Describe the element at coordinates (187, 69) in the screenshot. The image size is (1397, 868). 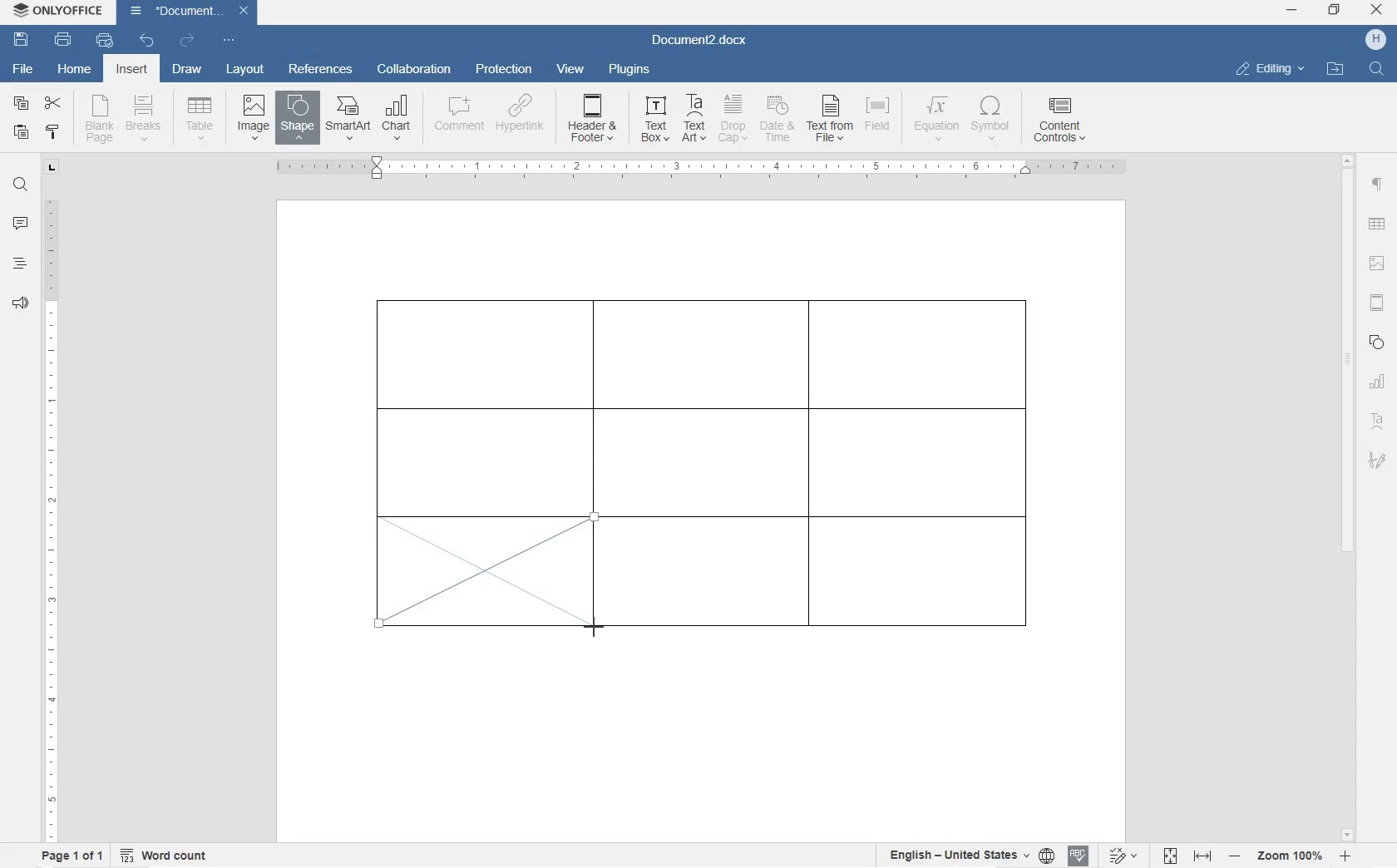
I see `draw` at that location.